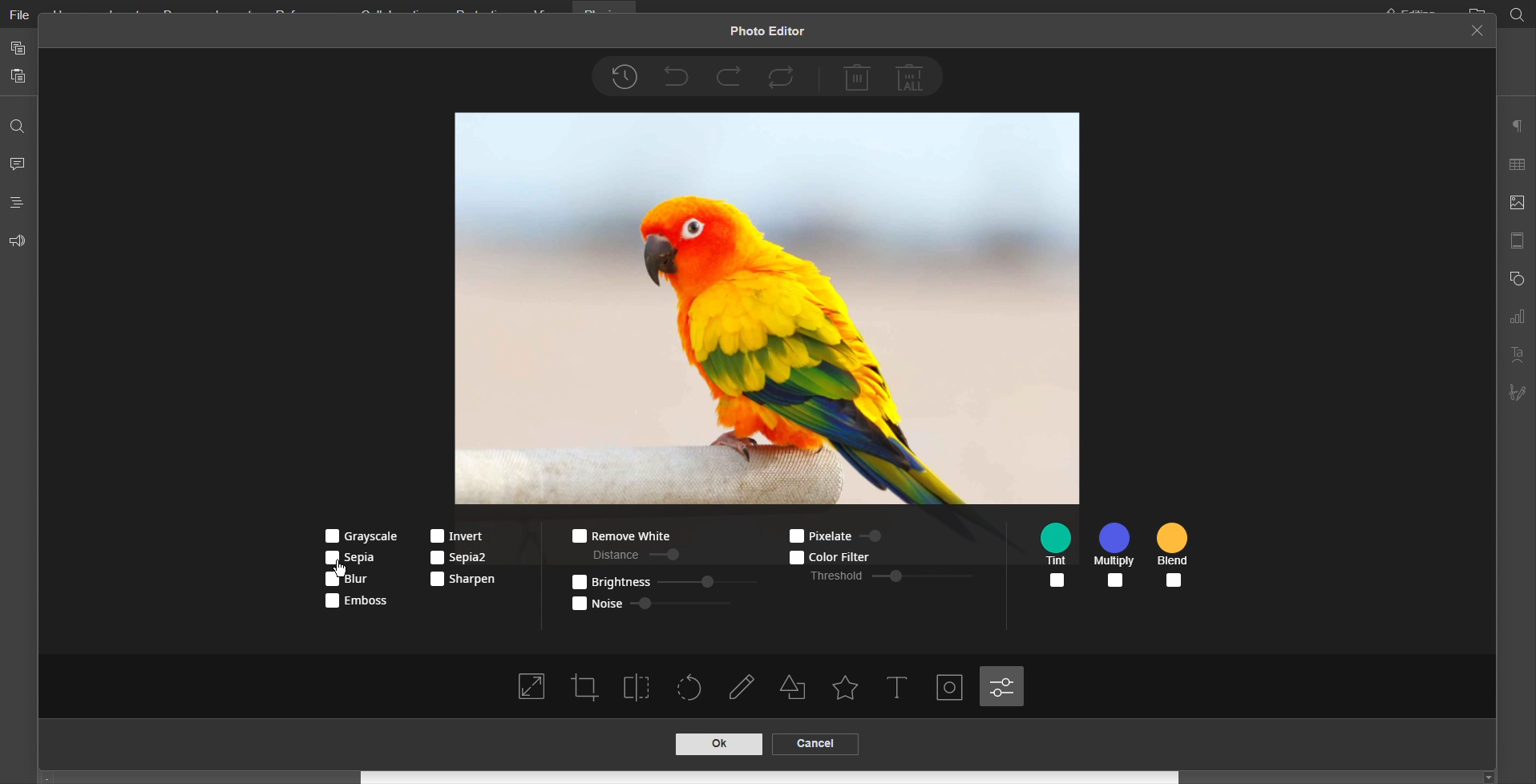 Image resolution: width=1536 pixels, height=784 pixels. Describe the element at coordinates (785, 76) in the screenshot. I see `Refresh` at that location.